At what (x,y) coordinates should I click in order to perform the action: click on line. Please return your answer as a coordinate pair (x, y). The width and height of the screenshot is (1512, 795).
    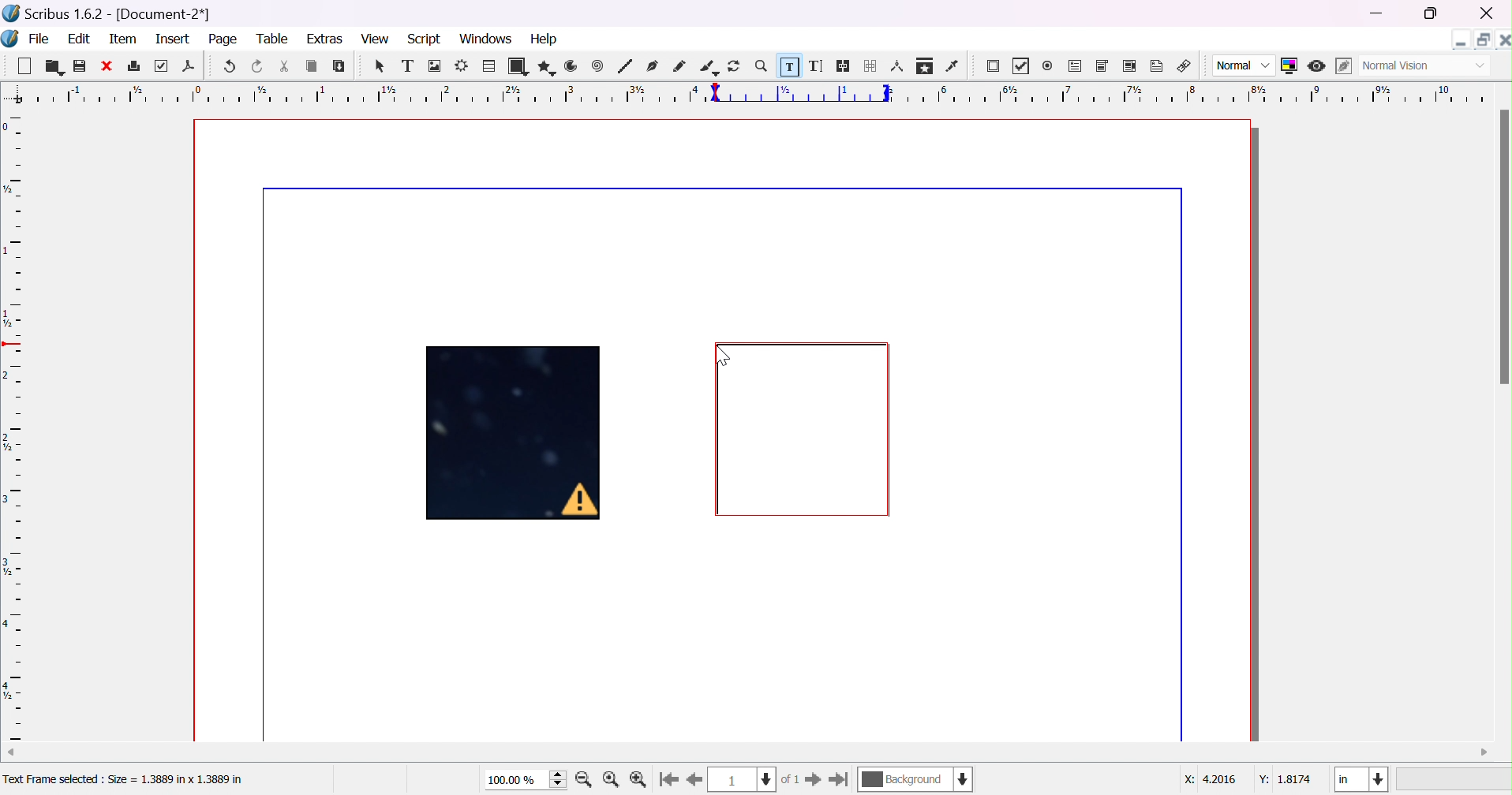
    Looking at the image, I should click on (625, 66).